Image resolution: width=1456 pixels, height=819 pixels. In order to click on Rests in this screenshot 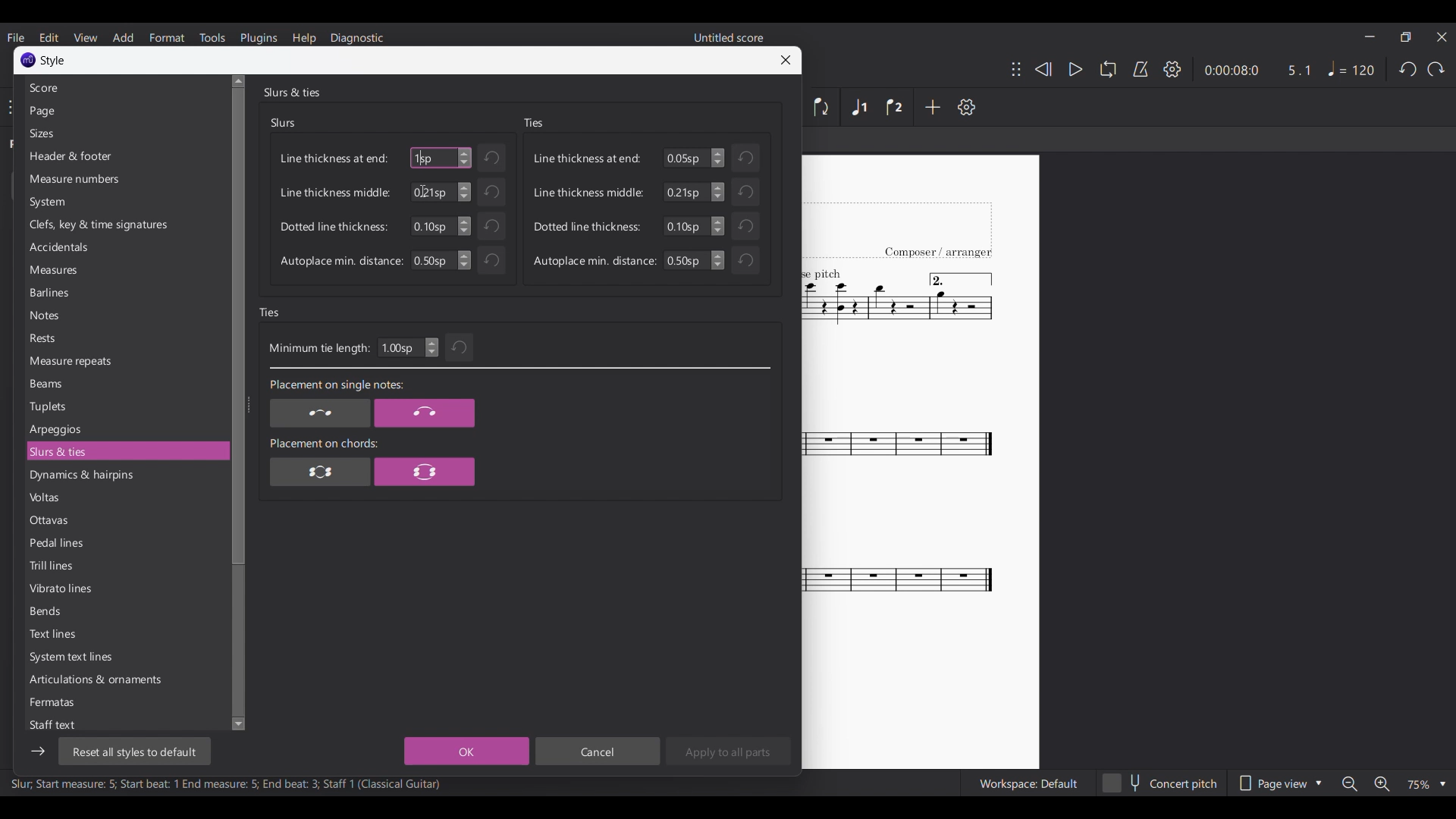, I will do `click(125, 337)`.